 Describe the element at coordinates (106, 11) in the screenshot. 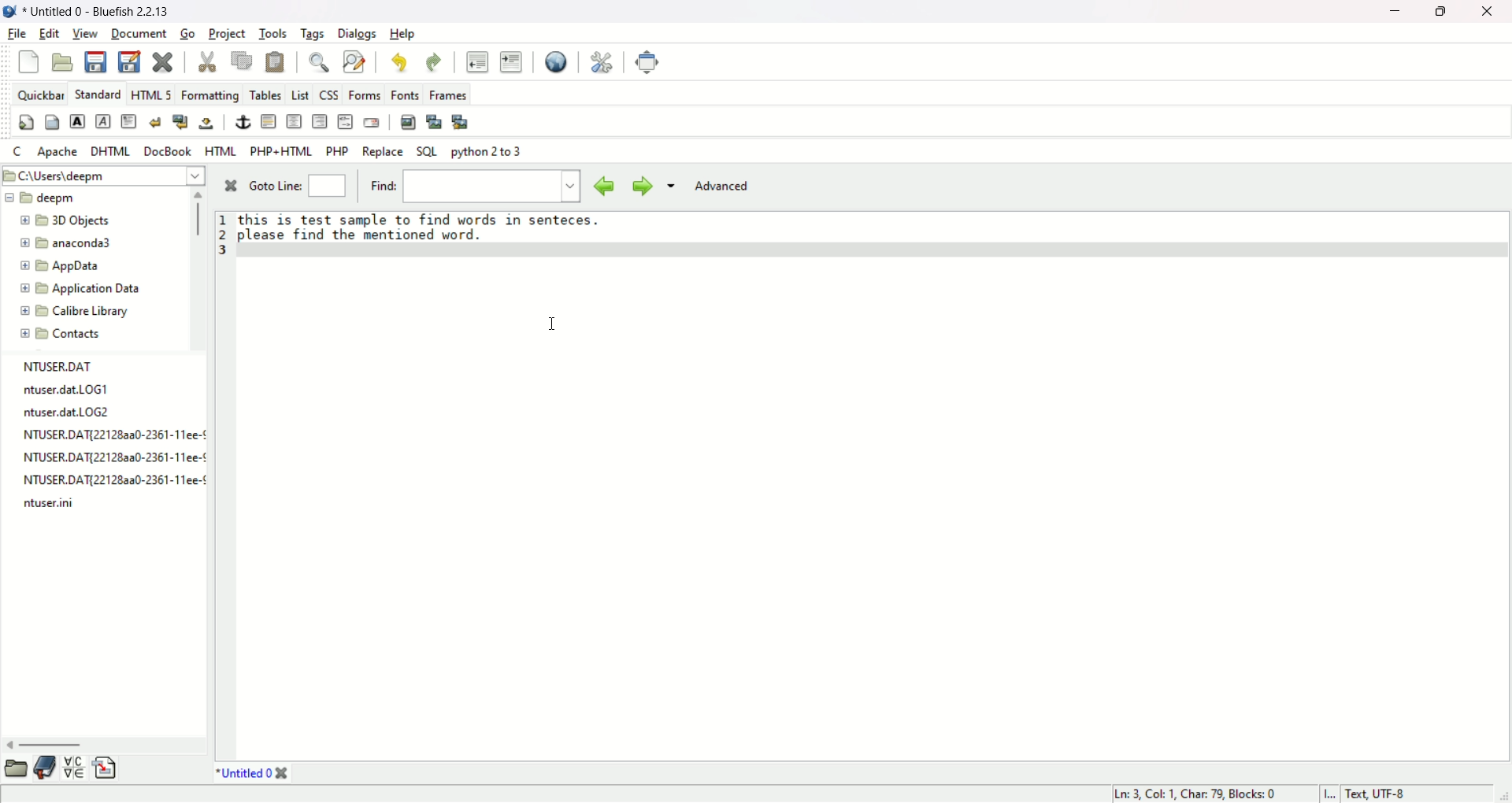

I see `title` at that location.